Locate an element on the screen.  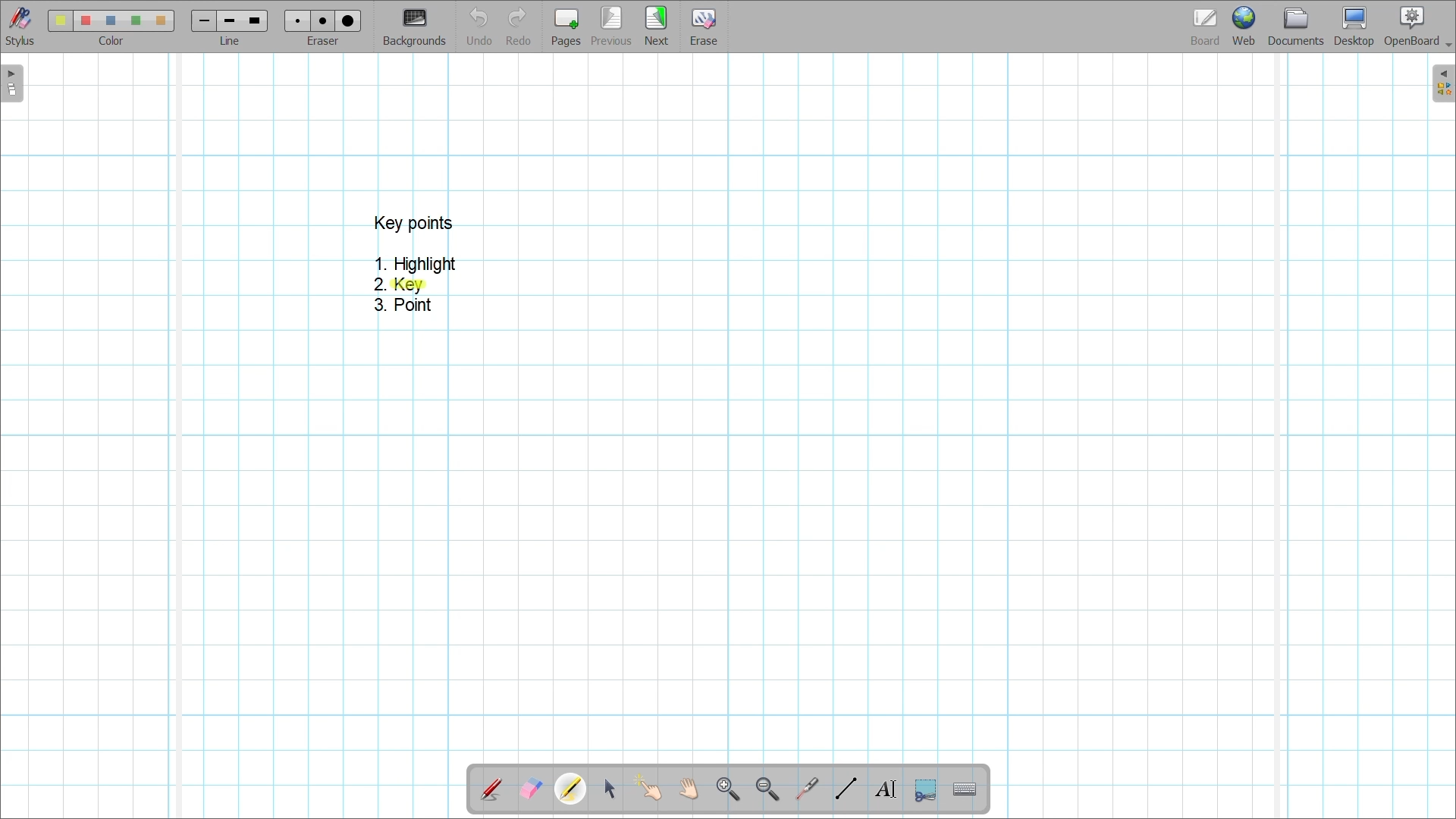
Scroll page is located at coordinates (688, 789).